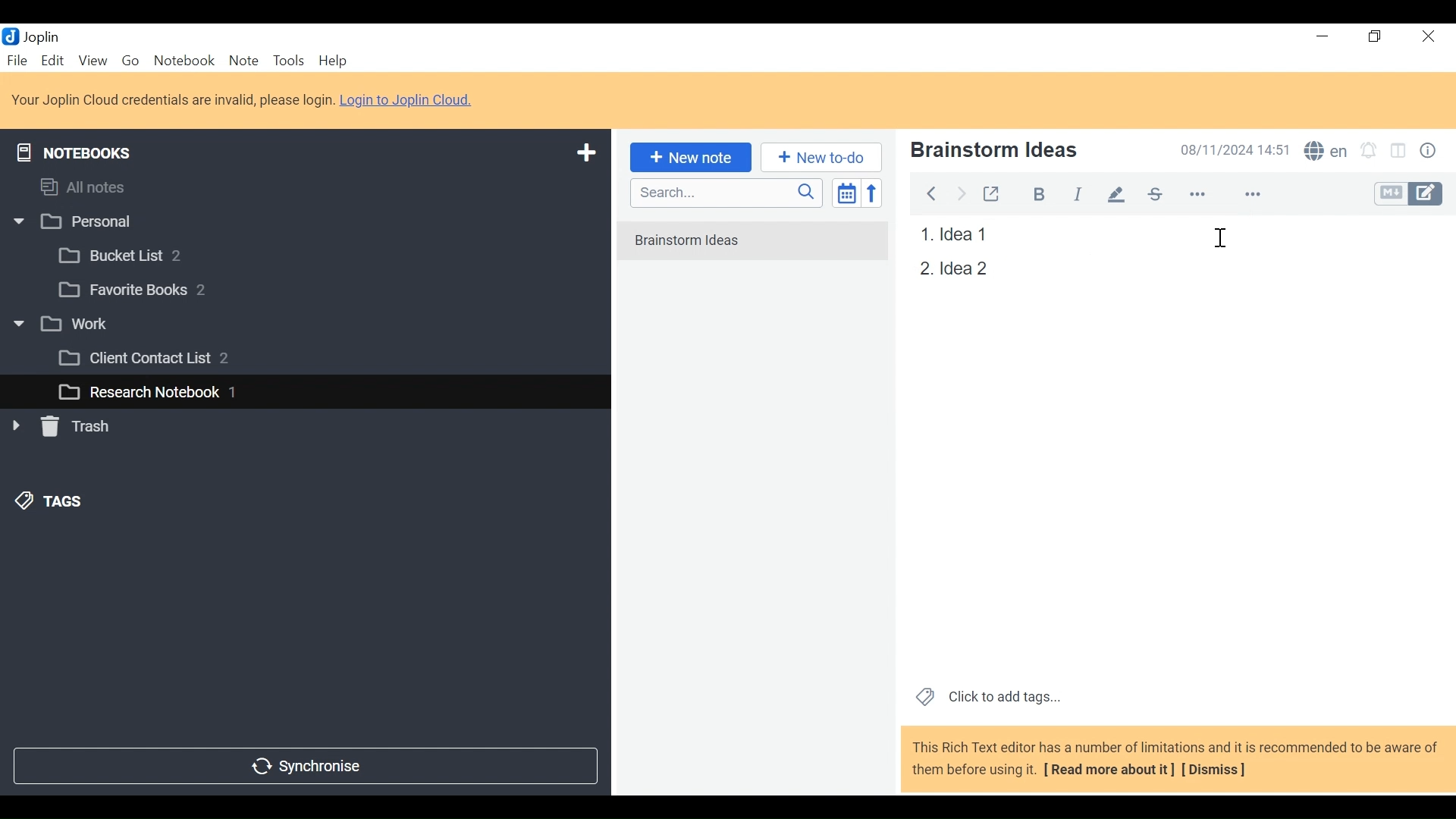 This screenshot has width=1456, height=819. What do you see at coordinates (752, 242) in the screenshot?
I see `No notes in here. Create one by clicking
on "New note".` at bounding box center [752, 242].